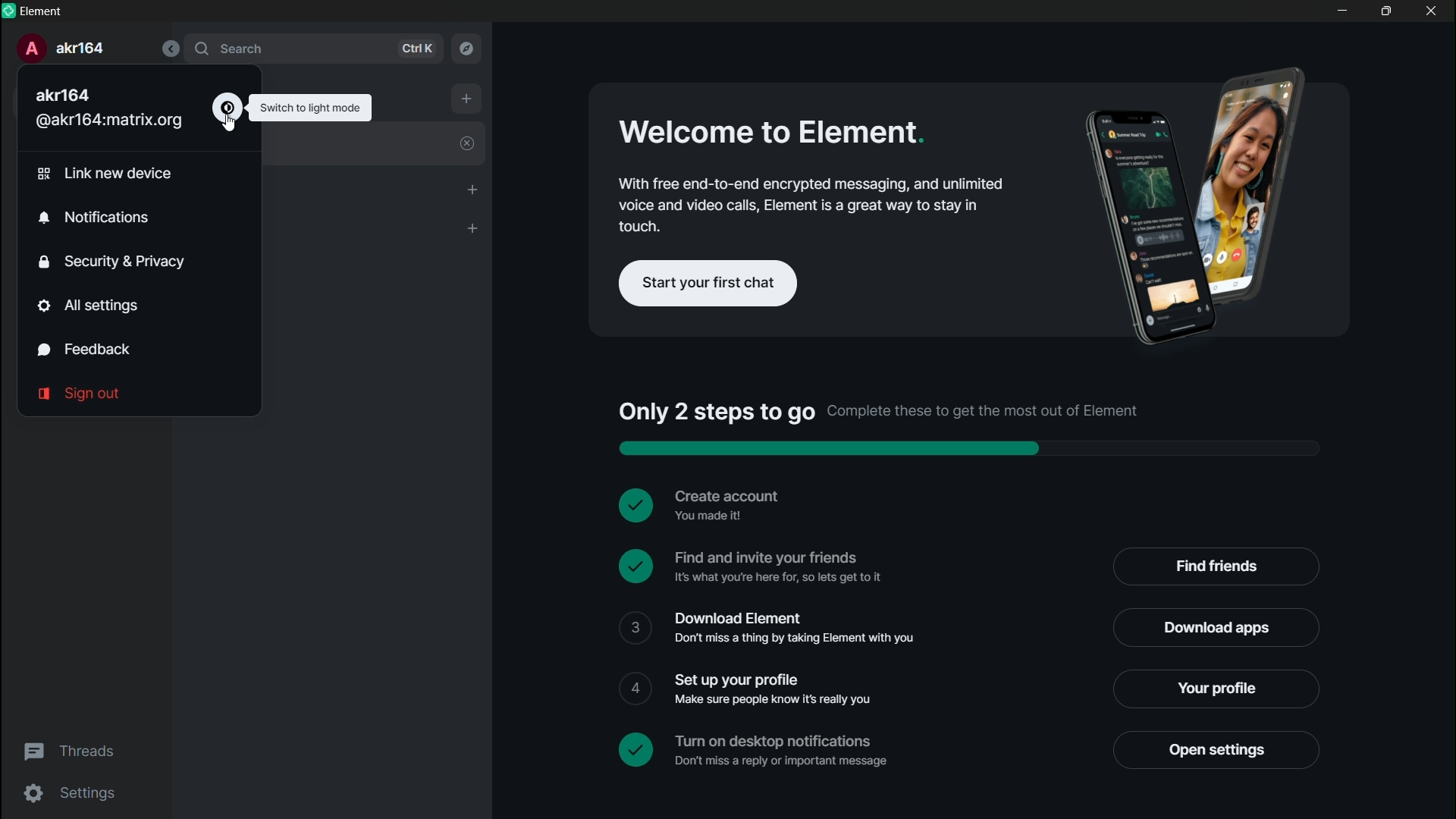  I want to click on turn on desktop notifications don't miss a reply or important message, so click(786, 749).